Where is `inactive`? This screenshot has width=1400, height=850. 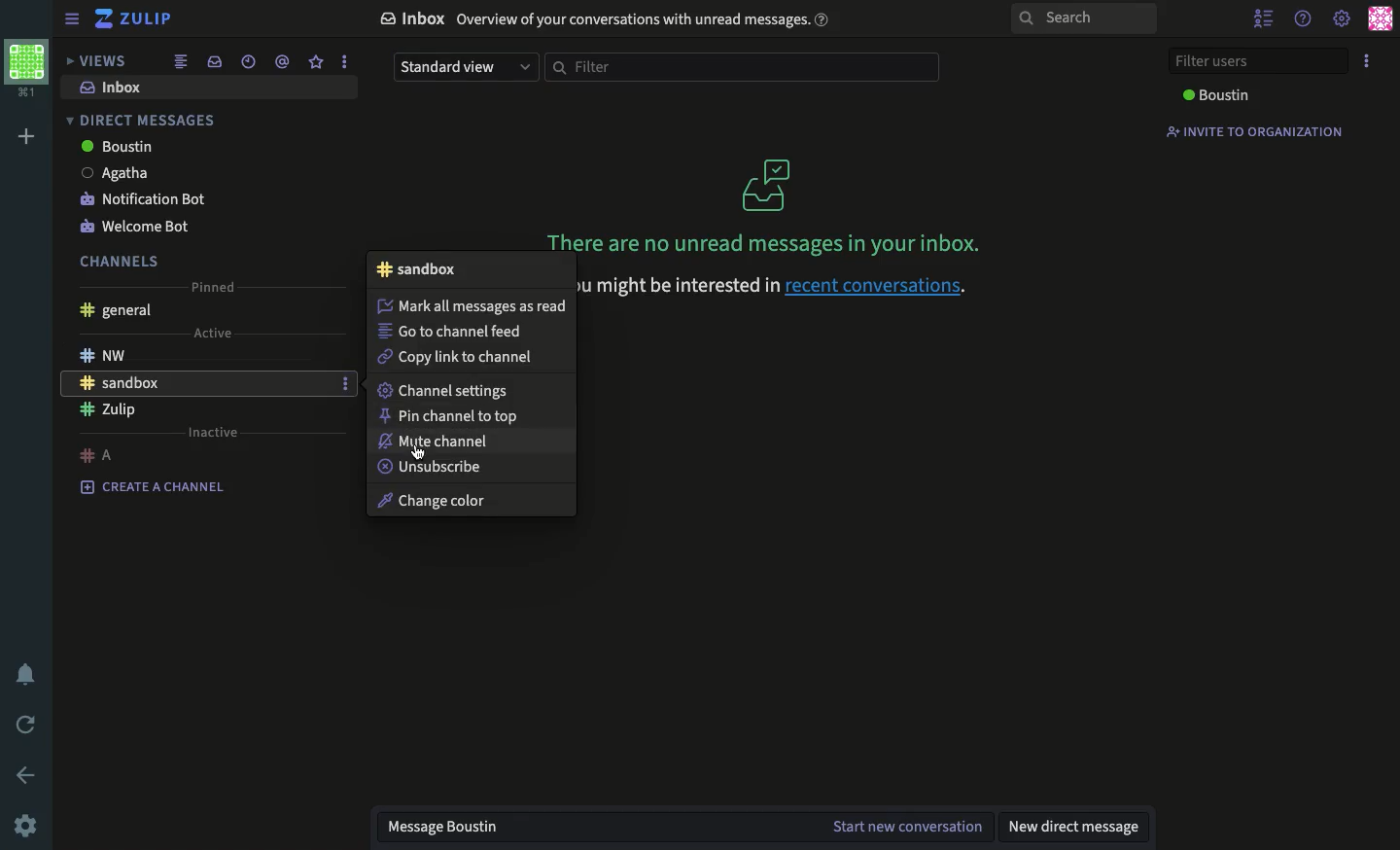
inactive is located at coordinates (214, 433).